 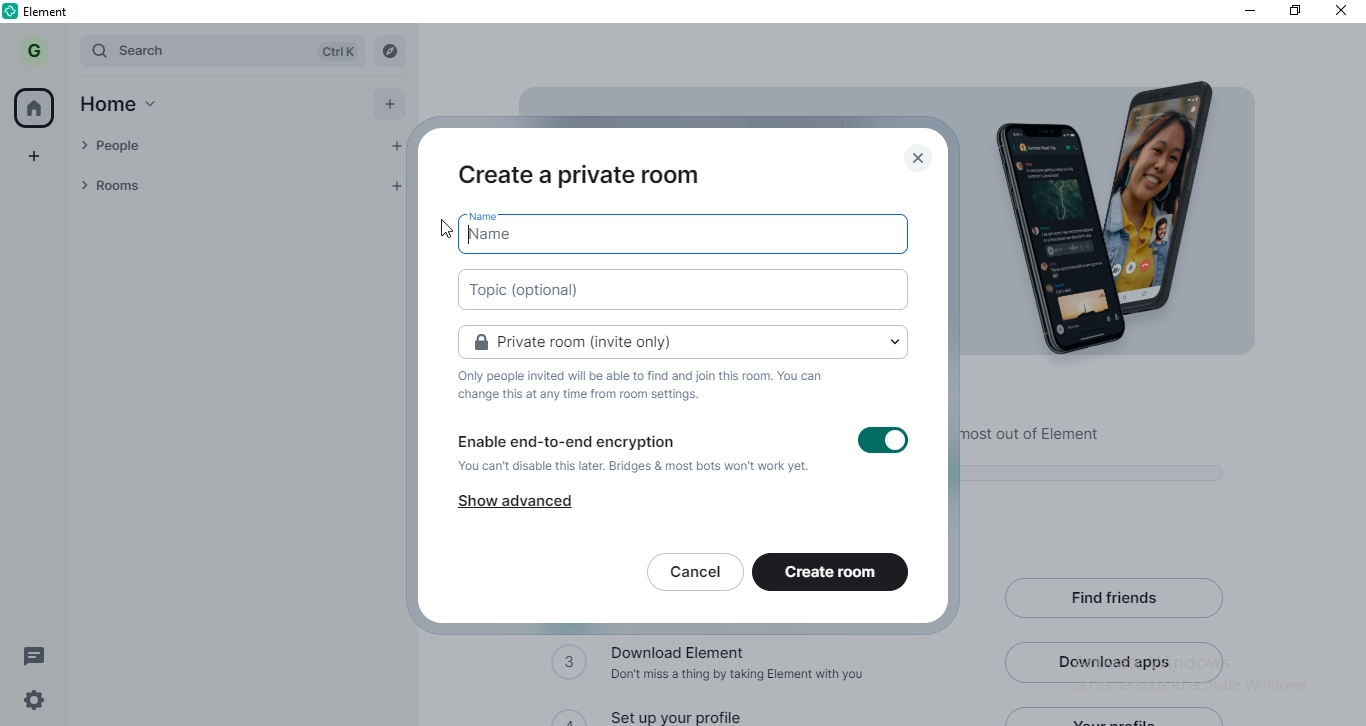 What do you see at coordinates (222, 51) in the screenshot?
I see `search ` at bounding box center [222, 51].